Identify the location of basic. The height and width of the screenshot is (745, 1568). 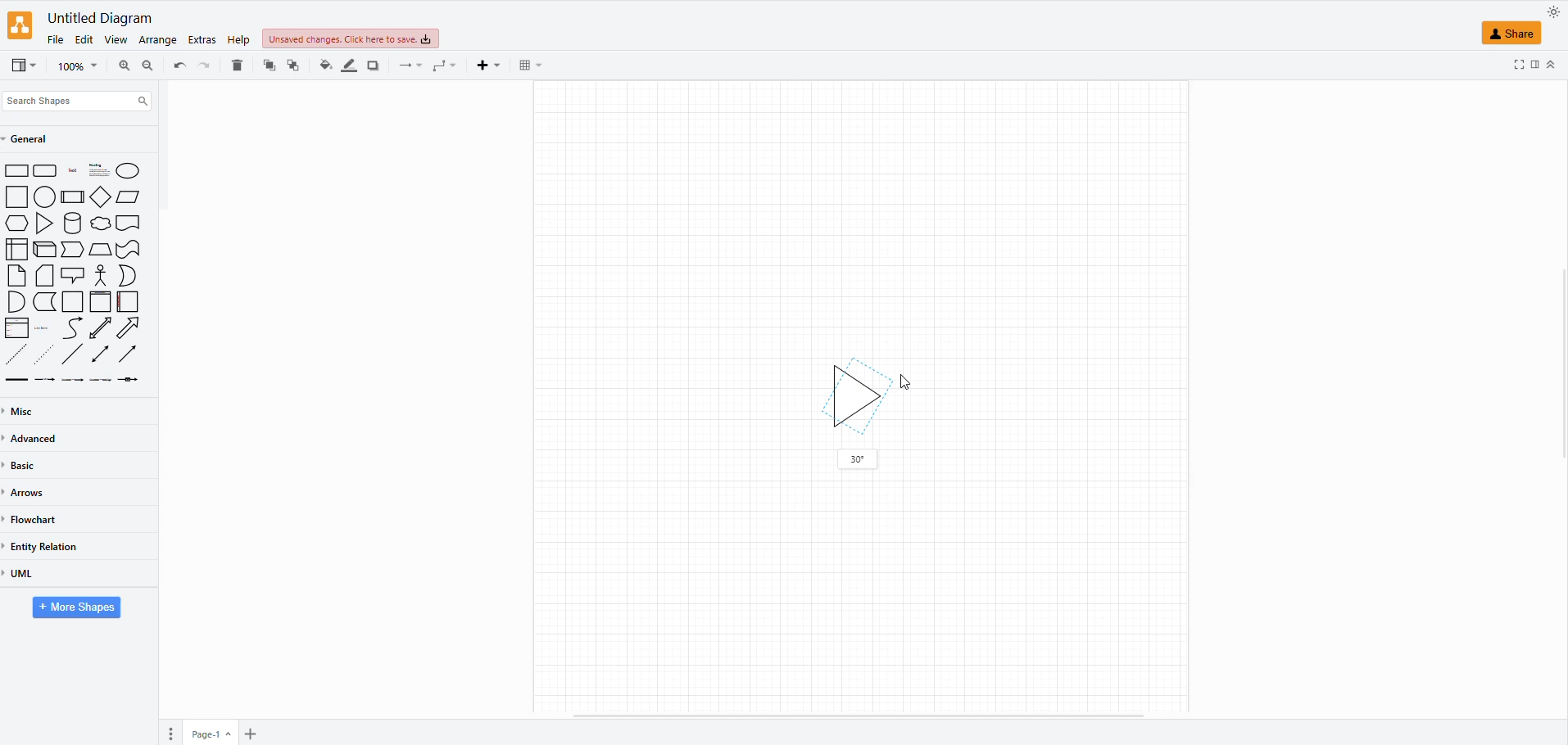
(27, 468).